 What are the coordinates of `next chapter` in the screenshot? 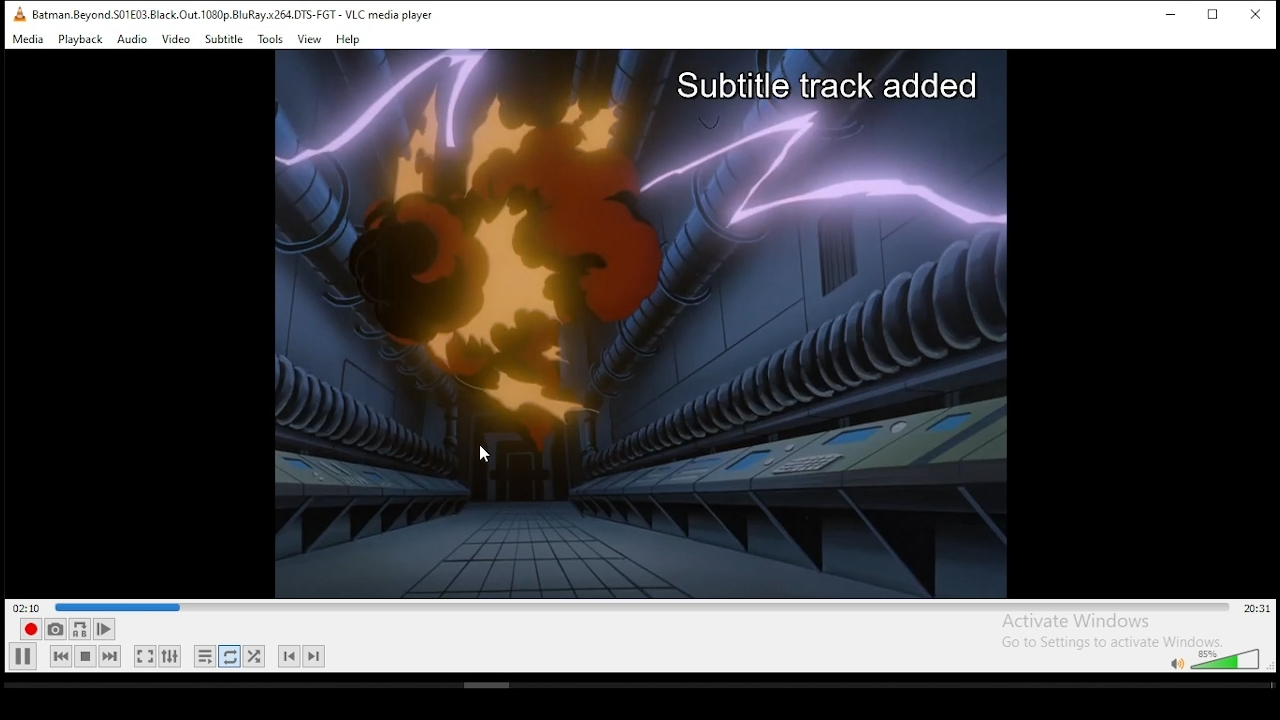 It's located at (315, 656).